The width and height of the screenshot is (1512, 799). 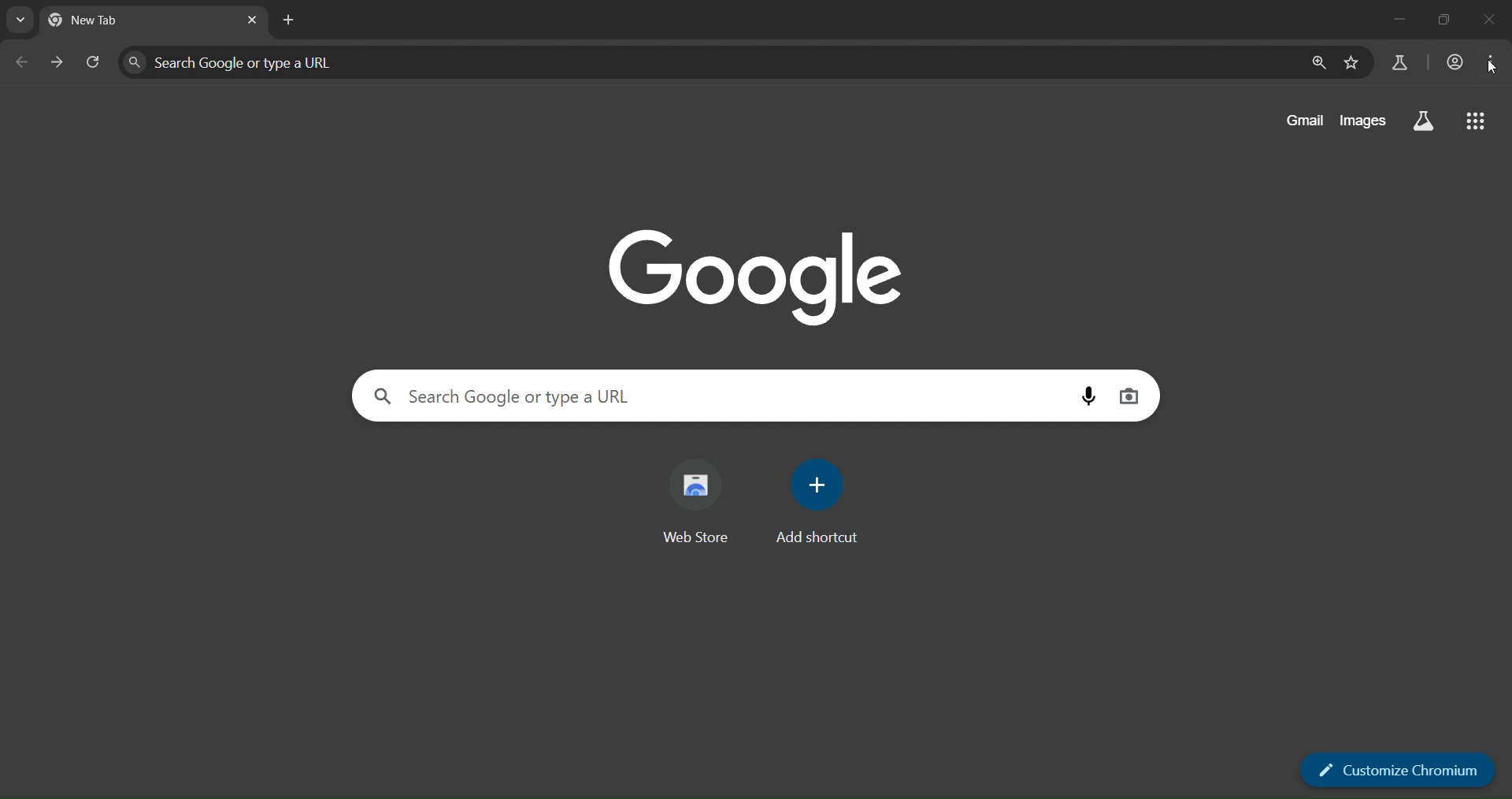 I want to click on close, so click(x=1492, y=20).